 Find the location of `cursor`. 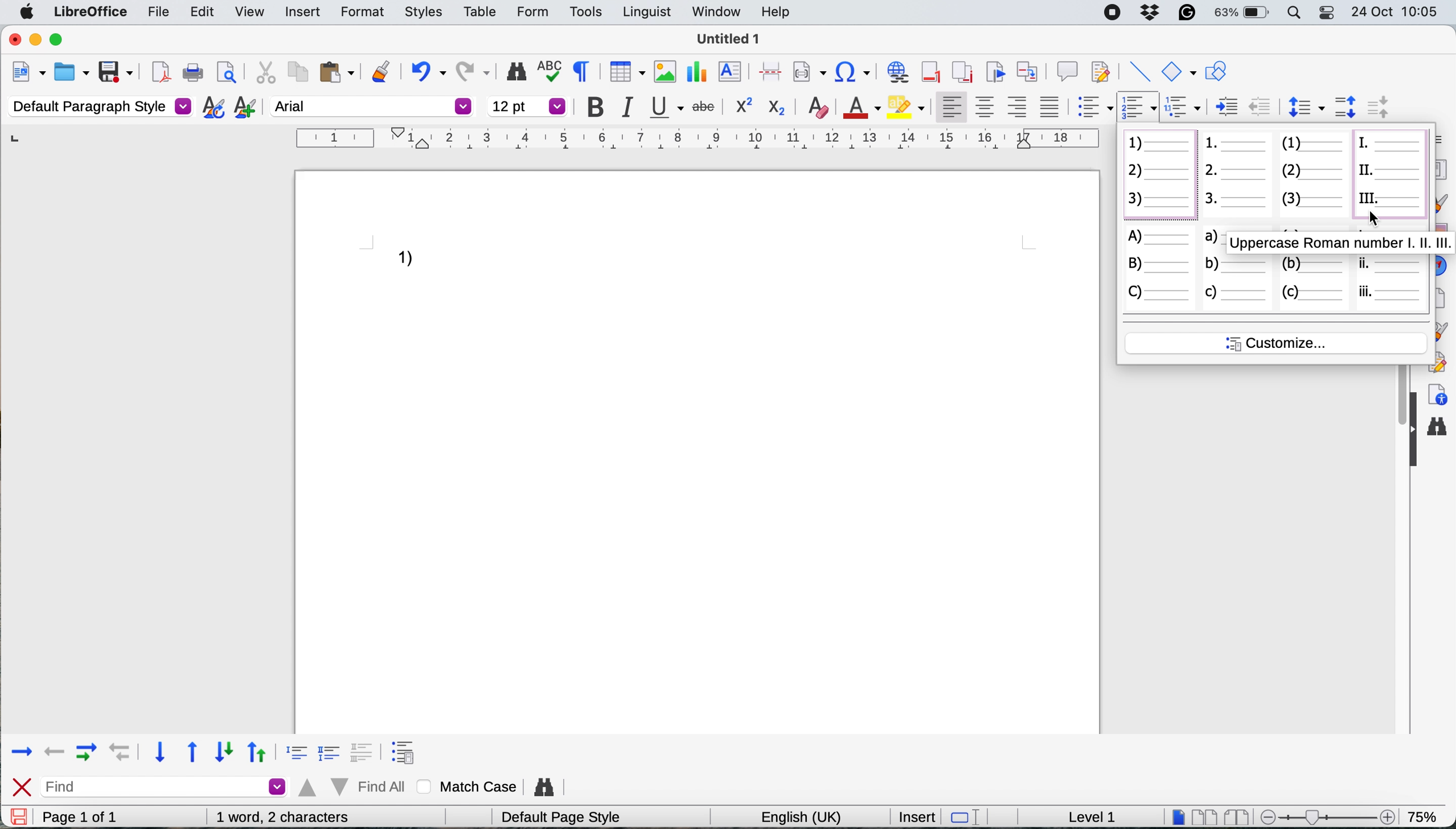

cursor is located at coordinates (1373, 217).